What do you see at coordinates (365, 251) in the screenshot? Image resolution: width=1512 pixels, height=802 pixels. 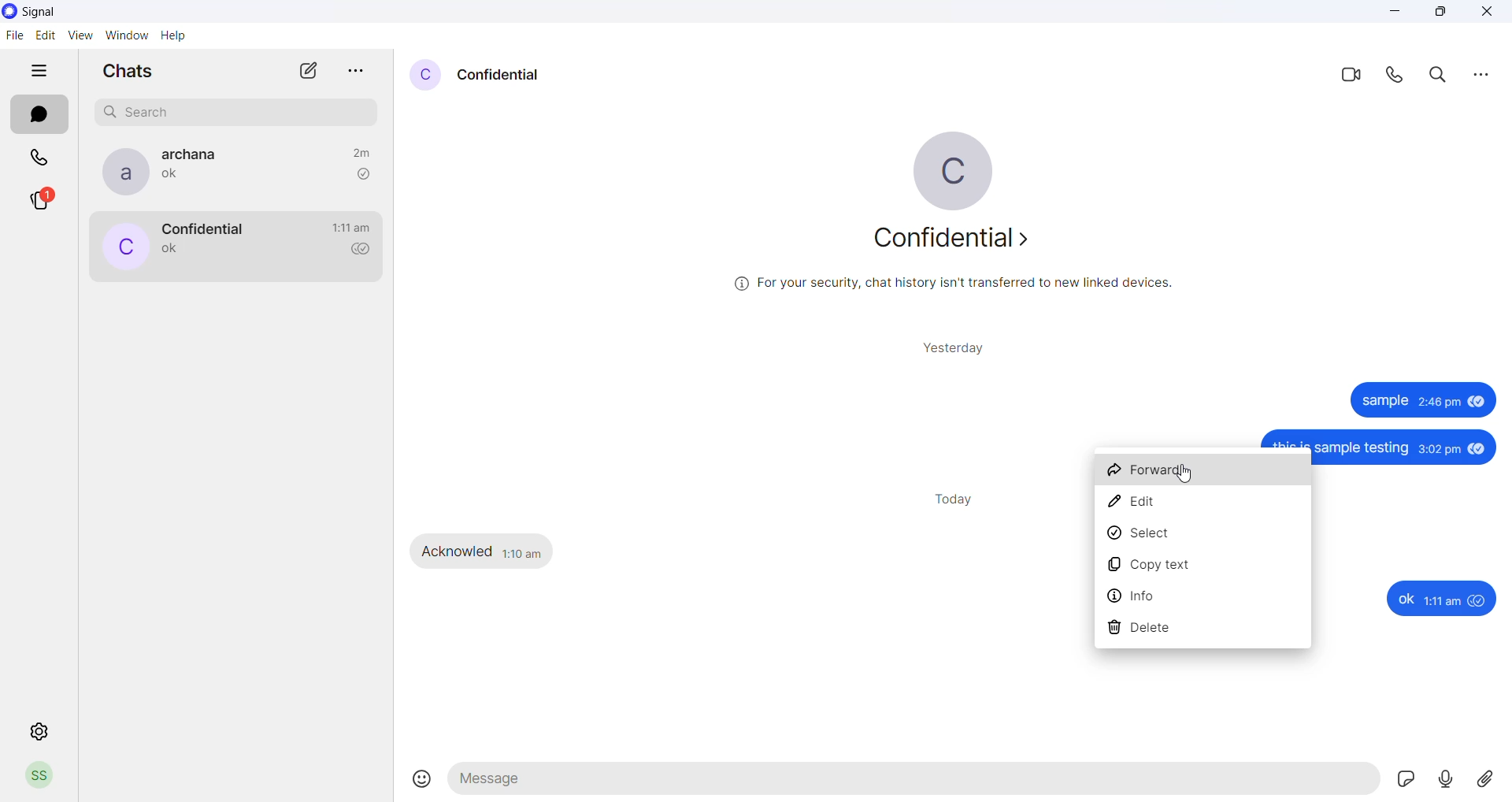 I see `read recipient` at bounding box center [365, 251].